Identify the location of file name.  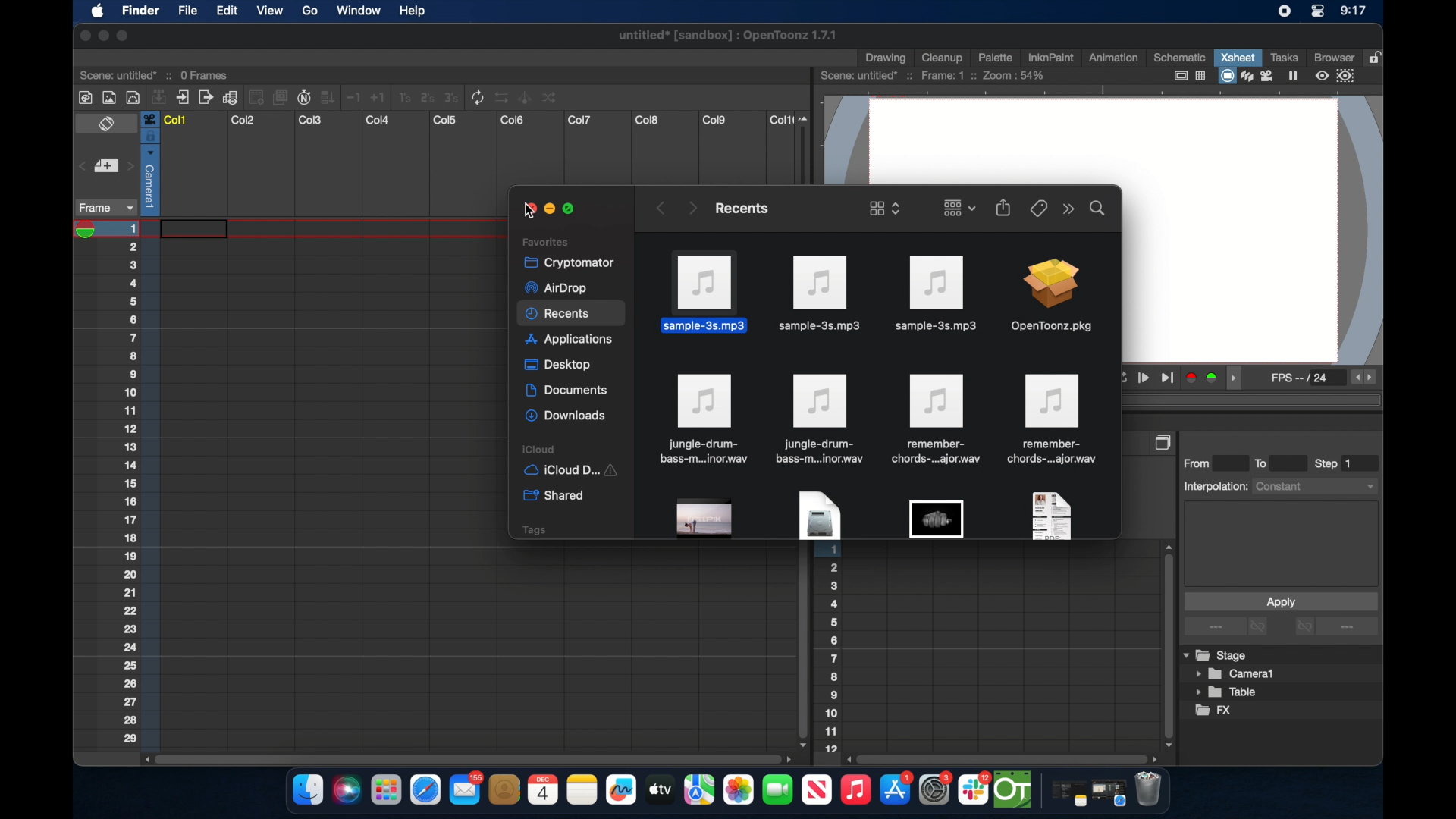
(729, 38).